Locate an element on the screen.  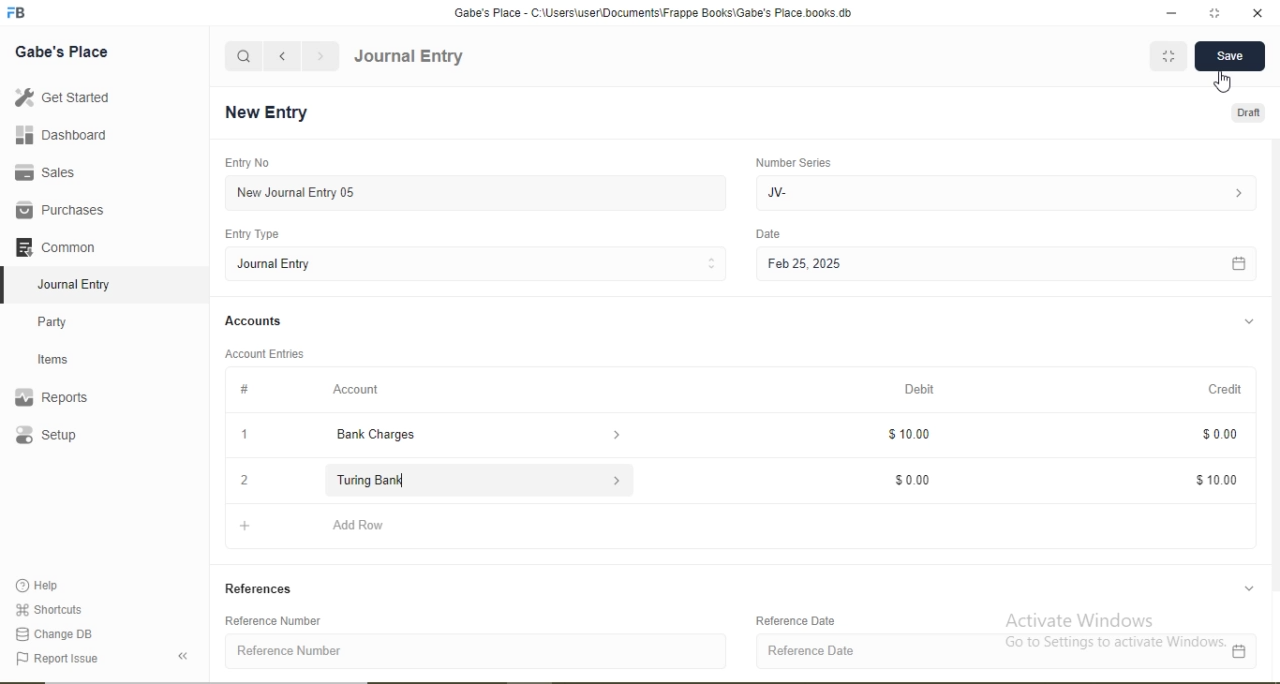
Account is located at coordinates (357, 389).